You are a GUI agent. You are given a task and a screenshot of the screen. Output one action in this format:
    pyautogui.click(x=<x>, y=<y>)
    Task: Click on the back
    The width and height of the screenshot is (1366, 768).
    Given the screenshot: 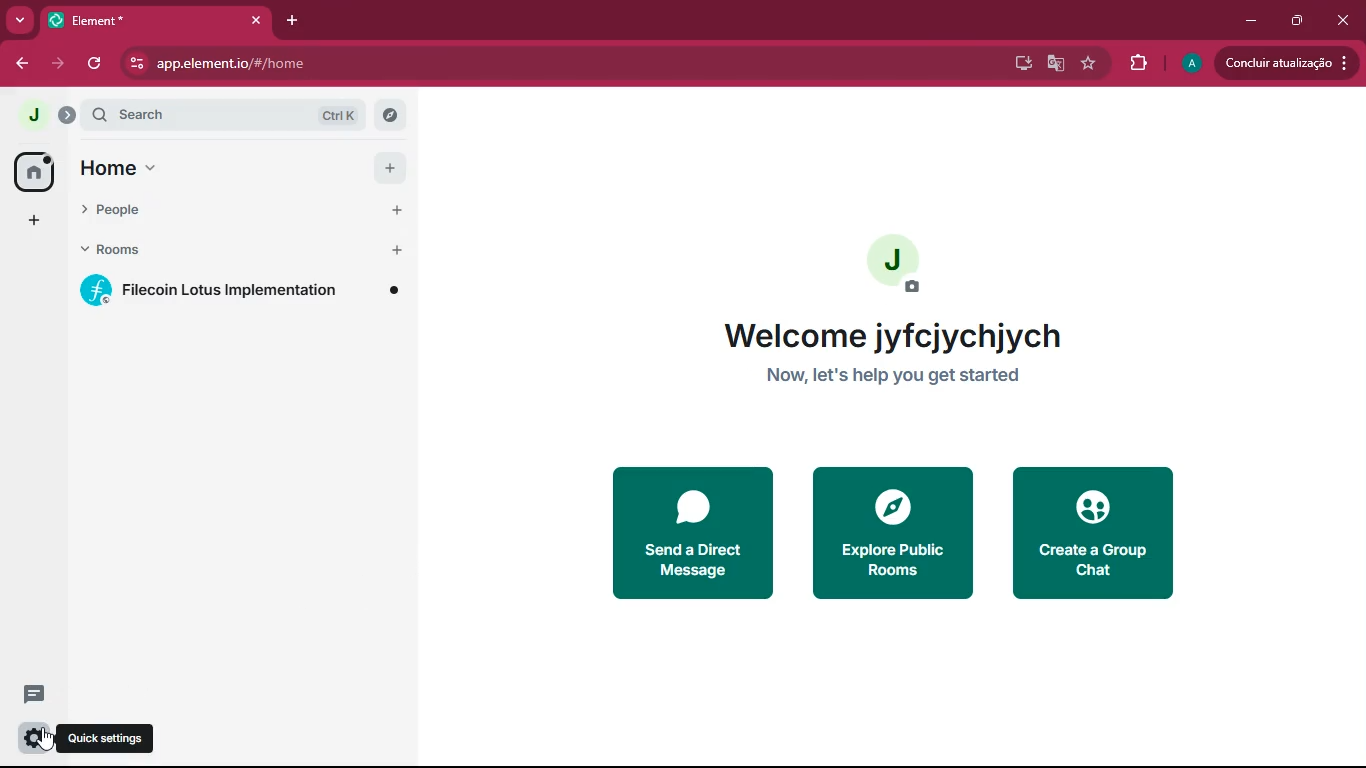 What is the action you would take?
    pyautogui.click(x=17, y=63)
    